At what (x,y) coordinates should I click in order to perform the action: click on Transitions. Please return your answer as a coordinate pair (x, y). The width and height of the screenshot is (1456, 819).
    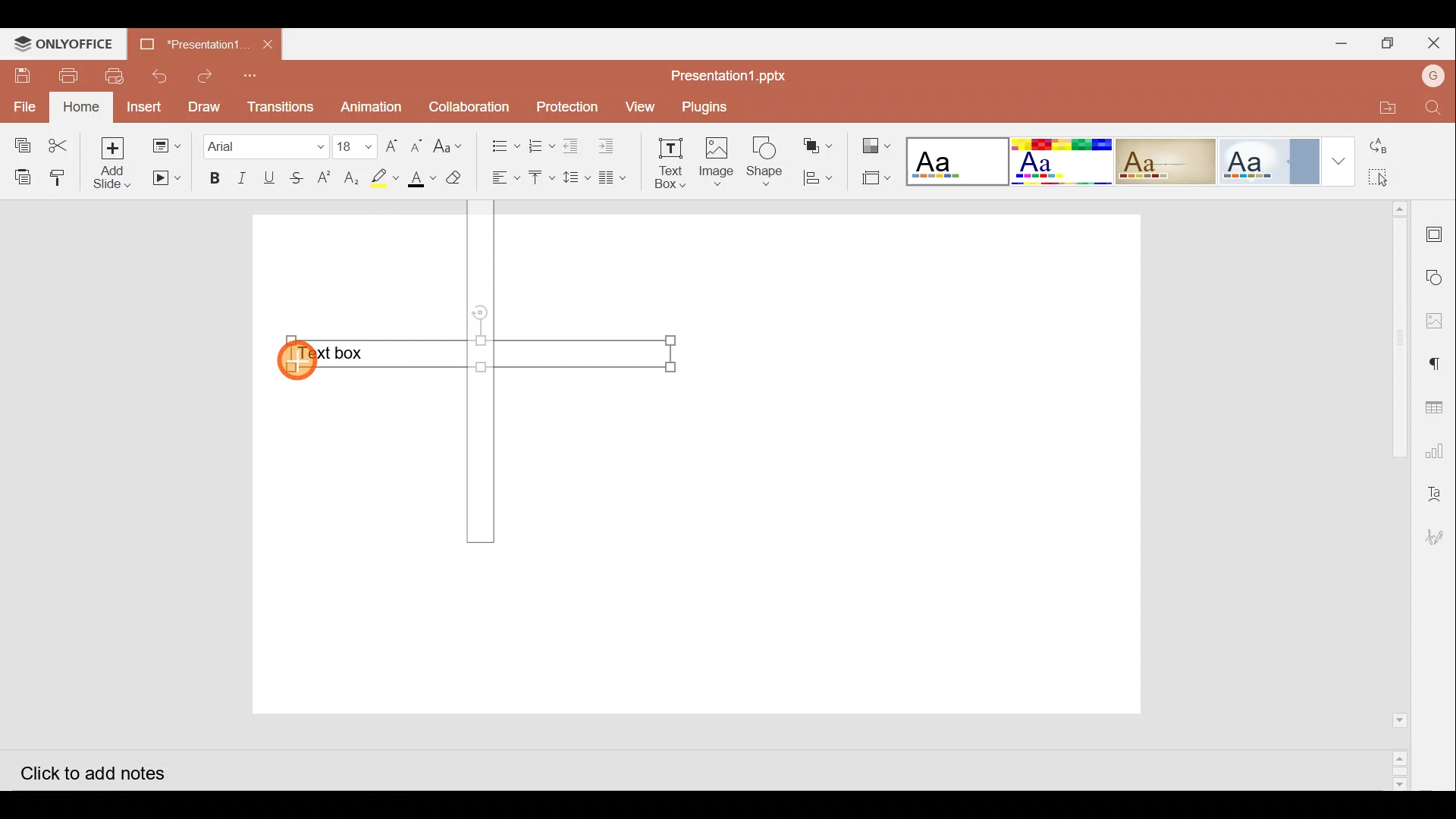
    Looking at the image, I should click on (278, 106).